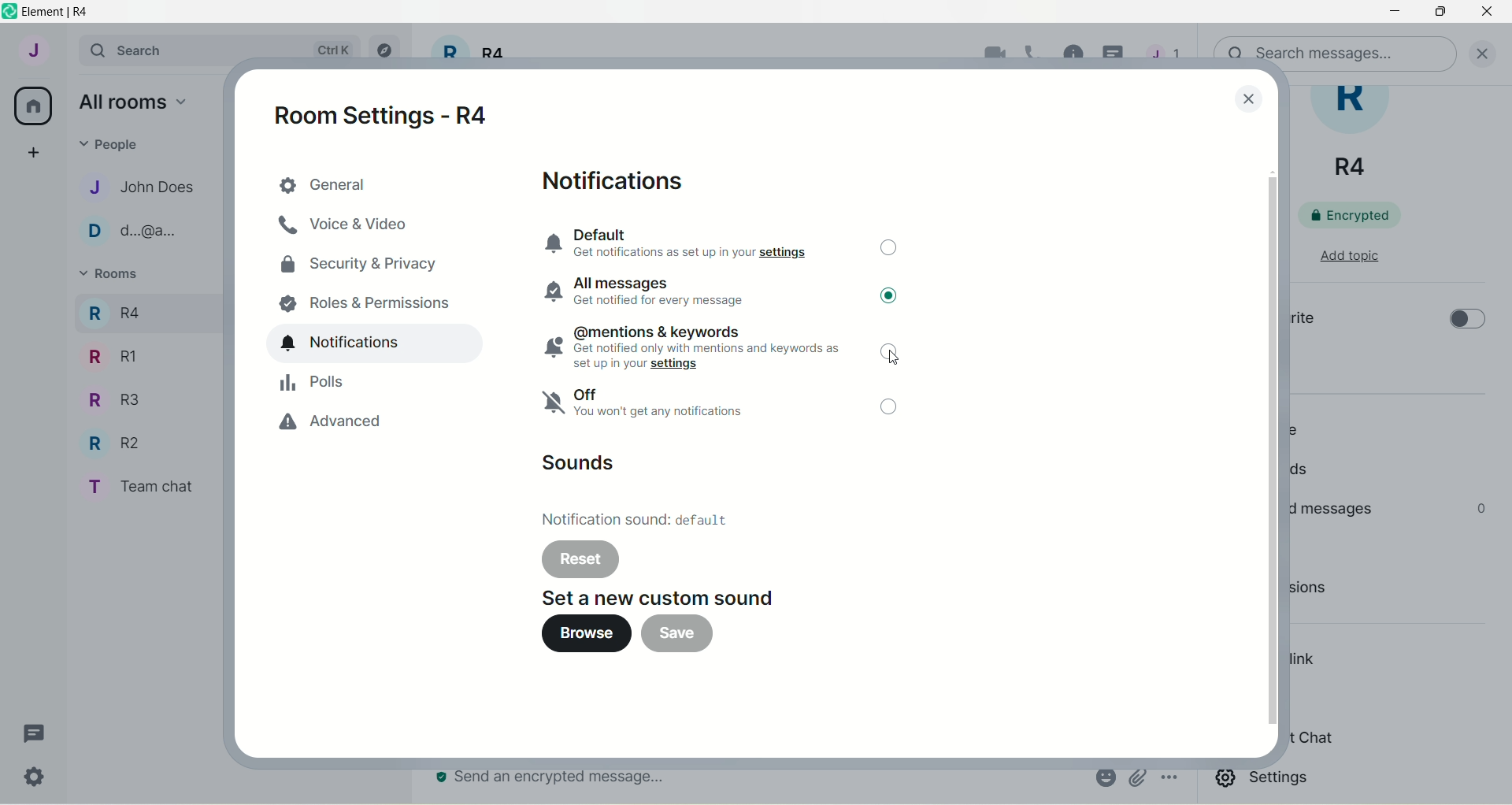  Describe the element at coordinates (471, 57) in the screenshot. I see `room title` at that location.